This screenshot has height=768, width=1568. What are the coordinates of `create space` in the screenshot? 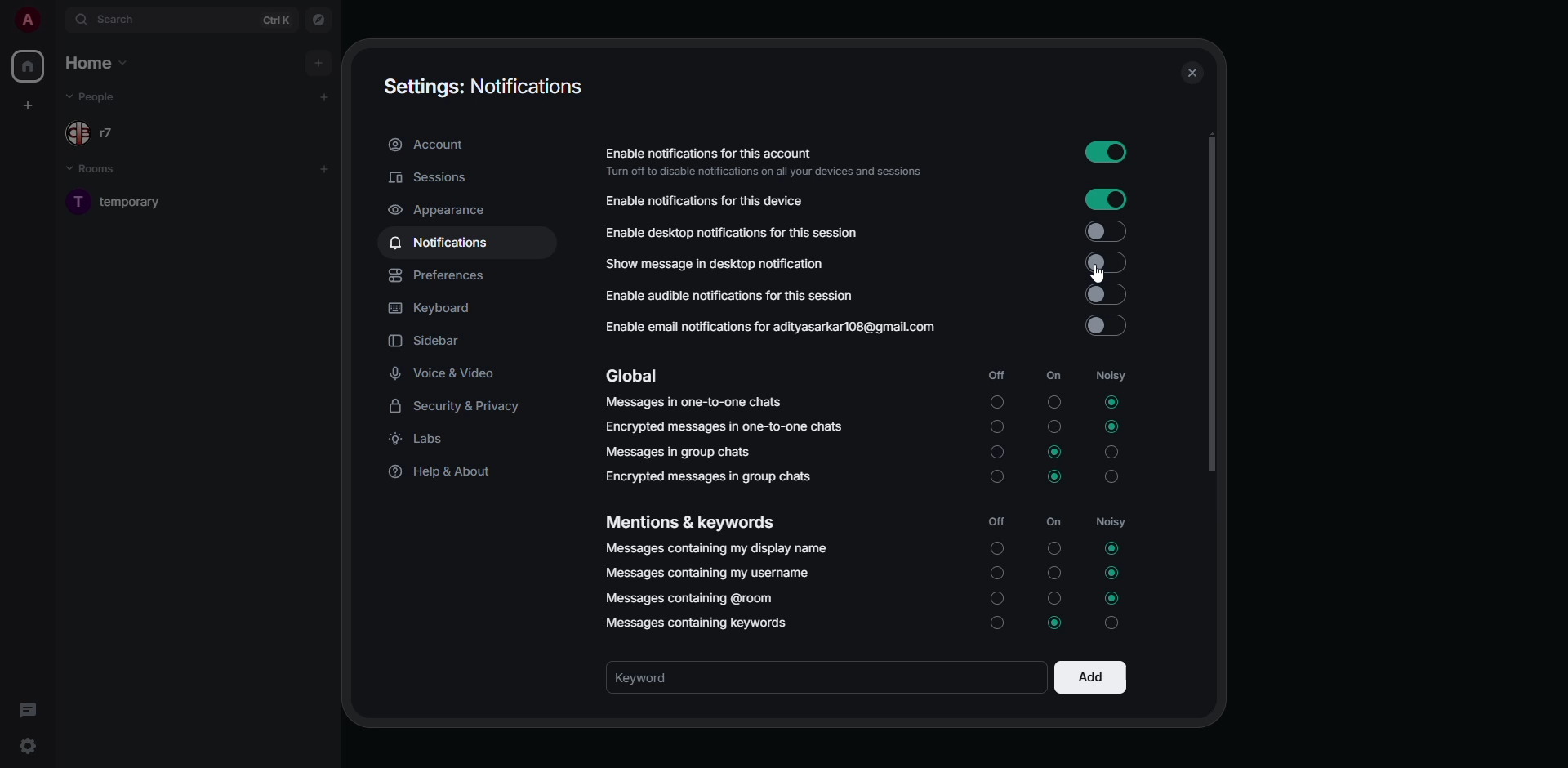 It's located at (31, 105).